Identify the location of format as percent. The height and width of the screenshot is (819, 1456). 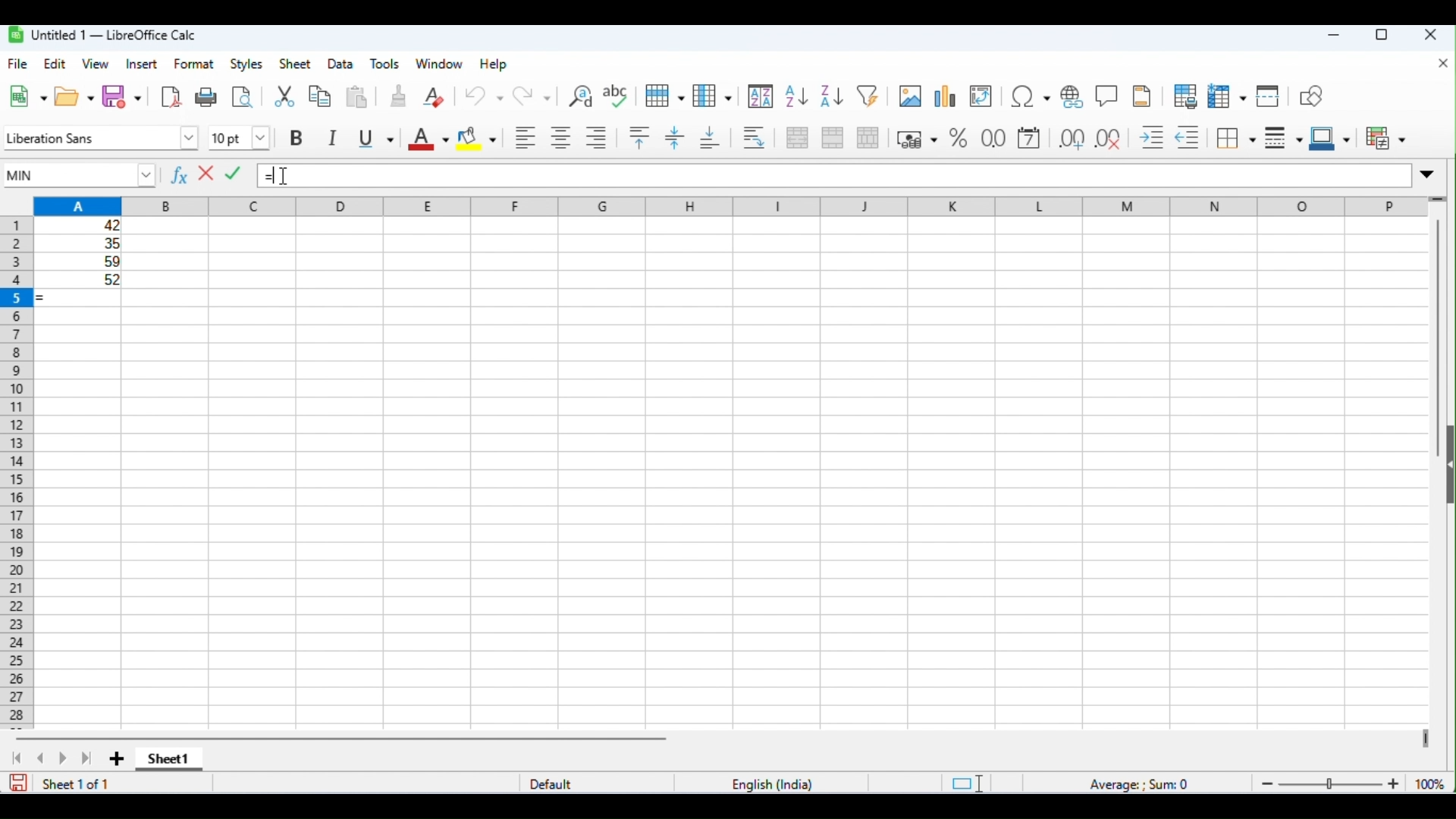
(957, 138).